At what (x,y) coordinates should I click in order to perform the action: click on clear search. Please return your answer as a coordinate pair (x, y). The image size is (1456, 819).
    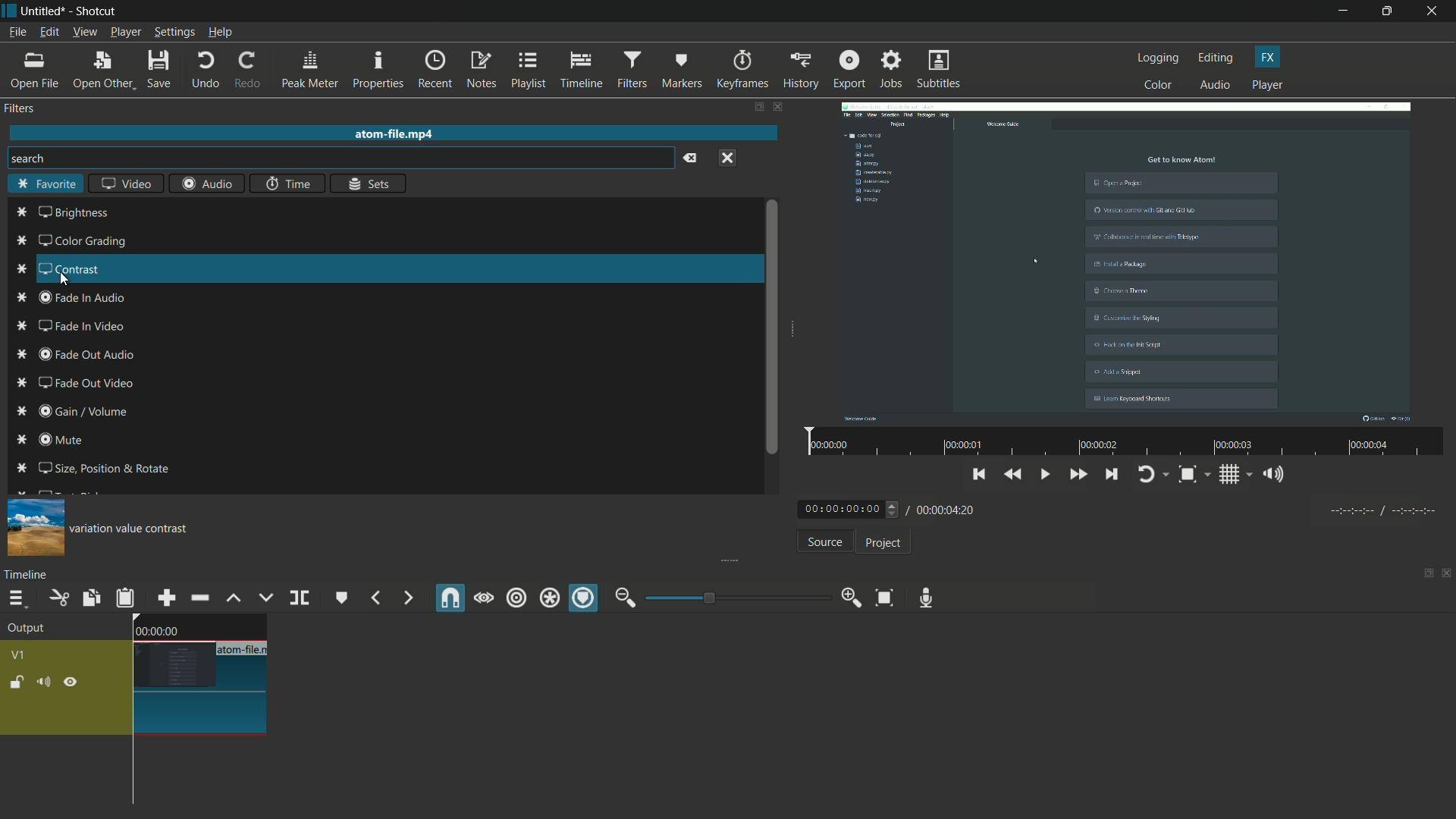
    Looking at the image, I should click on (689, 158).